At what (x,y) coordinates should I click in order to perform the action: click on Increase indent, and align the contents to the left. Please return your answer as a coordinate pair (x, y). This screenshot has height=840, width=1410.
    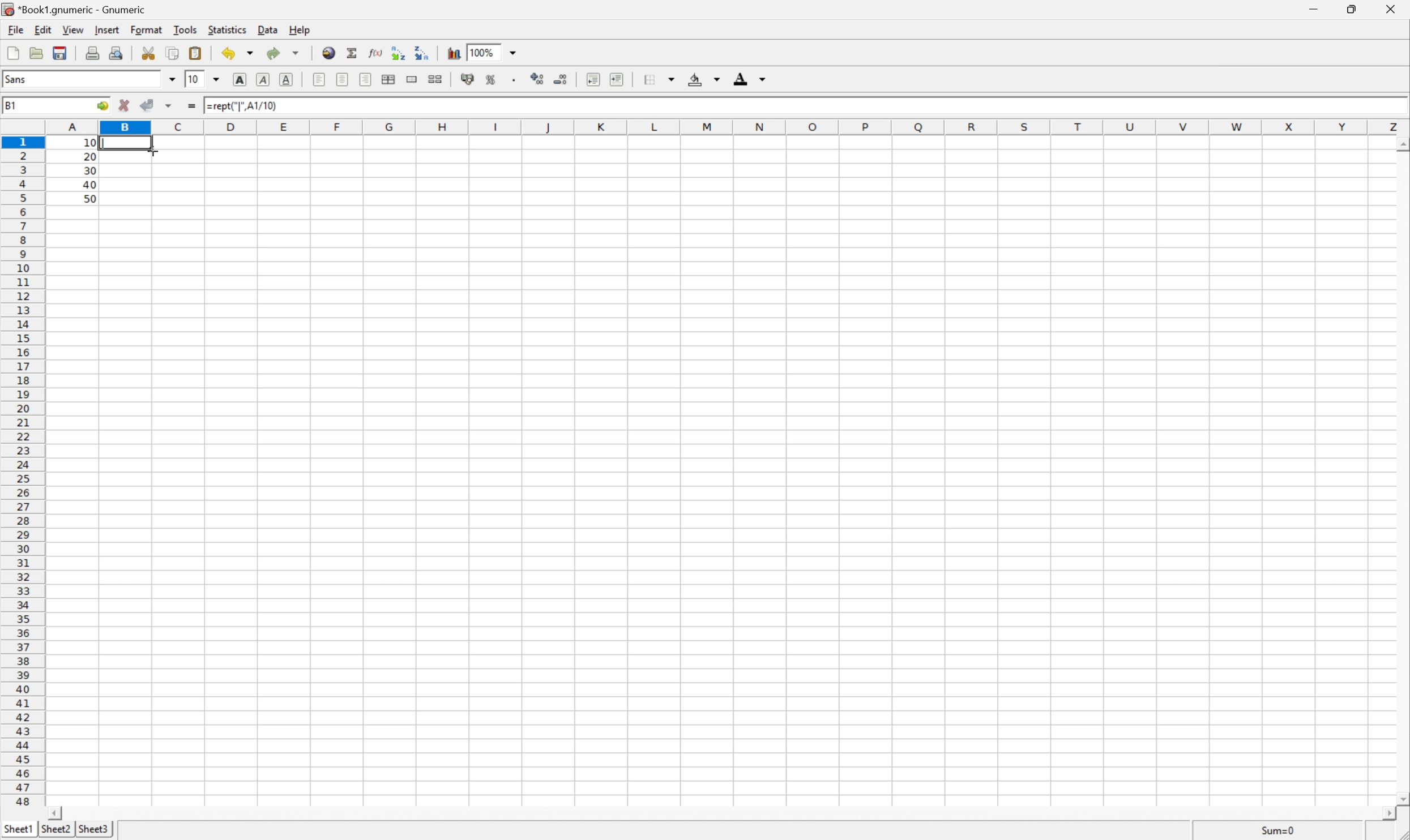
    Looking at the image, I should click on (617, 79).